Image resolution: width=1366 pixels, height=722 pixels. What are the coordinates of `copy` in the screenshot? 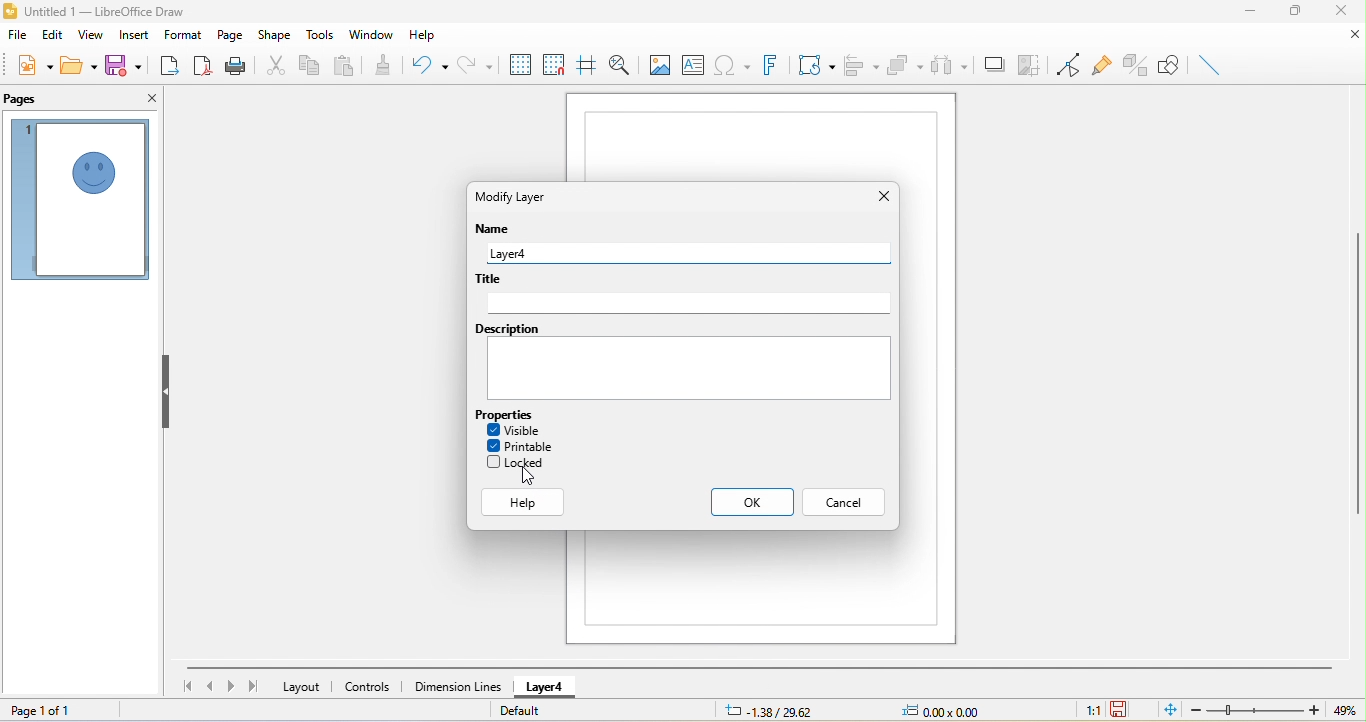 It's located at (308, 66).